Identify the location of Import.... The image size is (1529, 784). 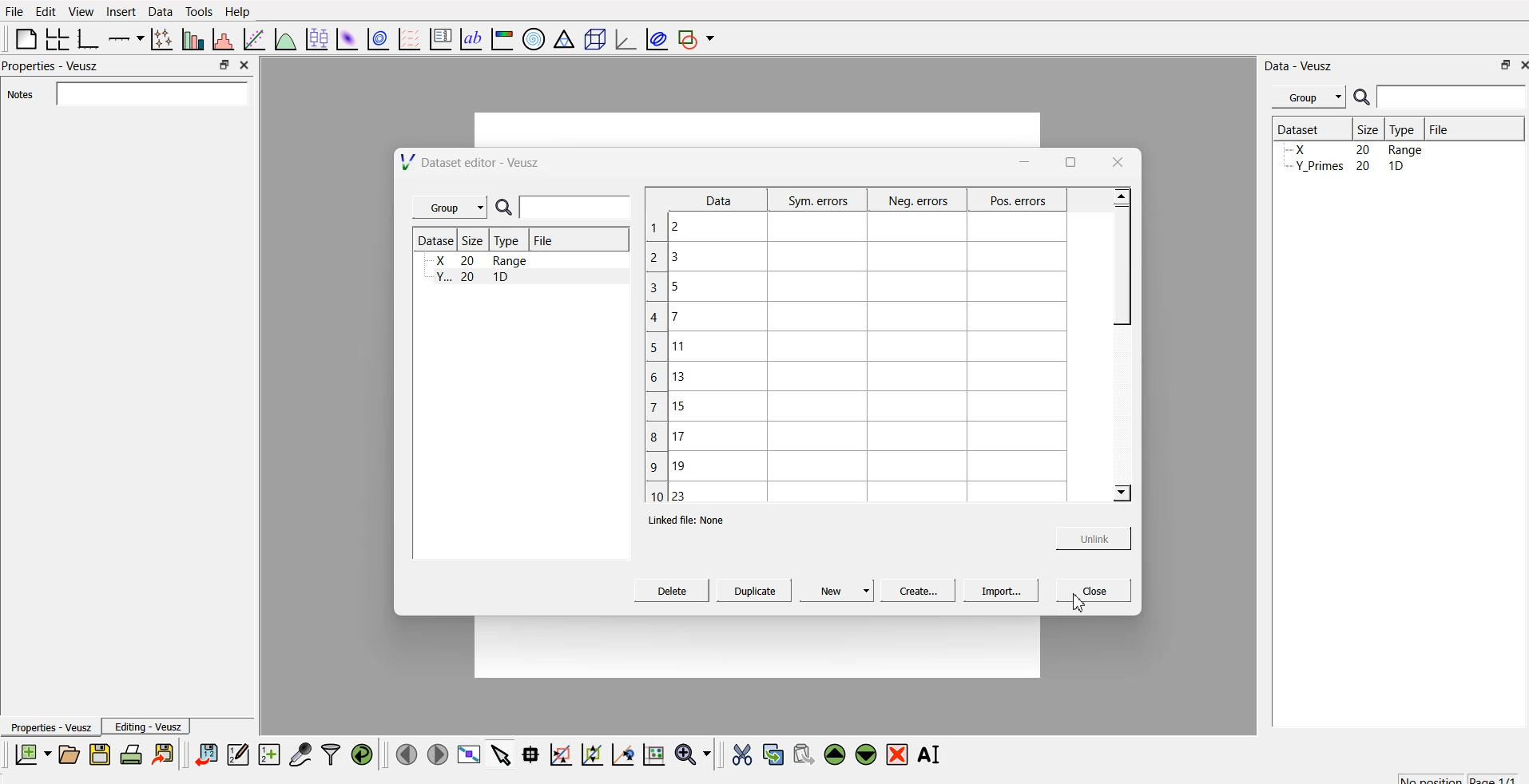
(997, 592).